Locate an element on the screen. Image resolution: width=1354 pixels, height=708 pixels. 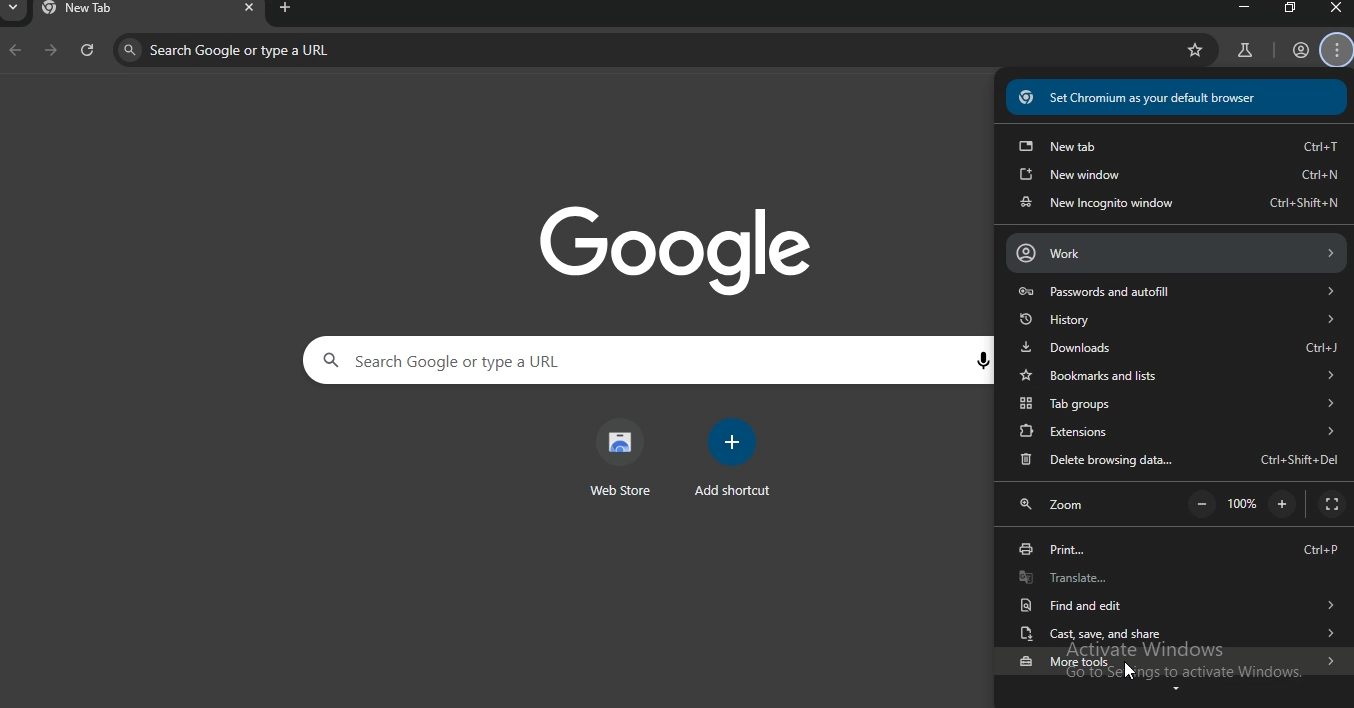
add shortcut is located at coordinates (736, 457).